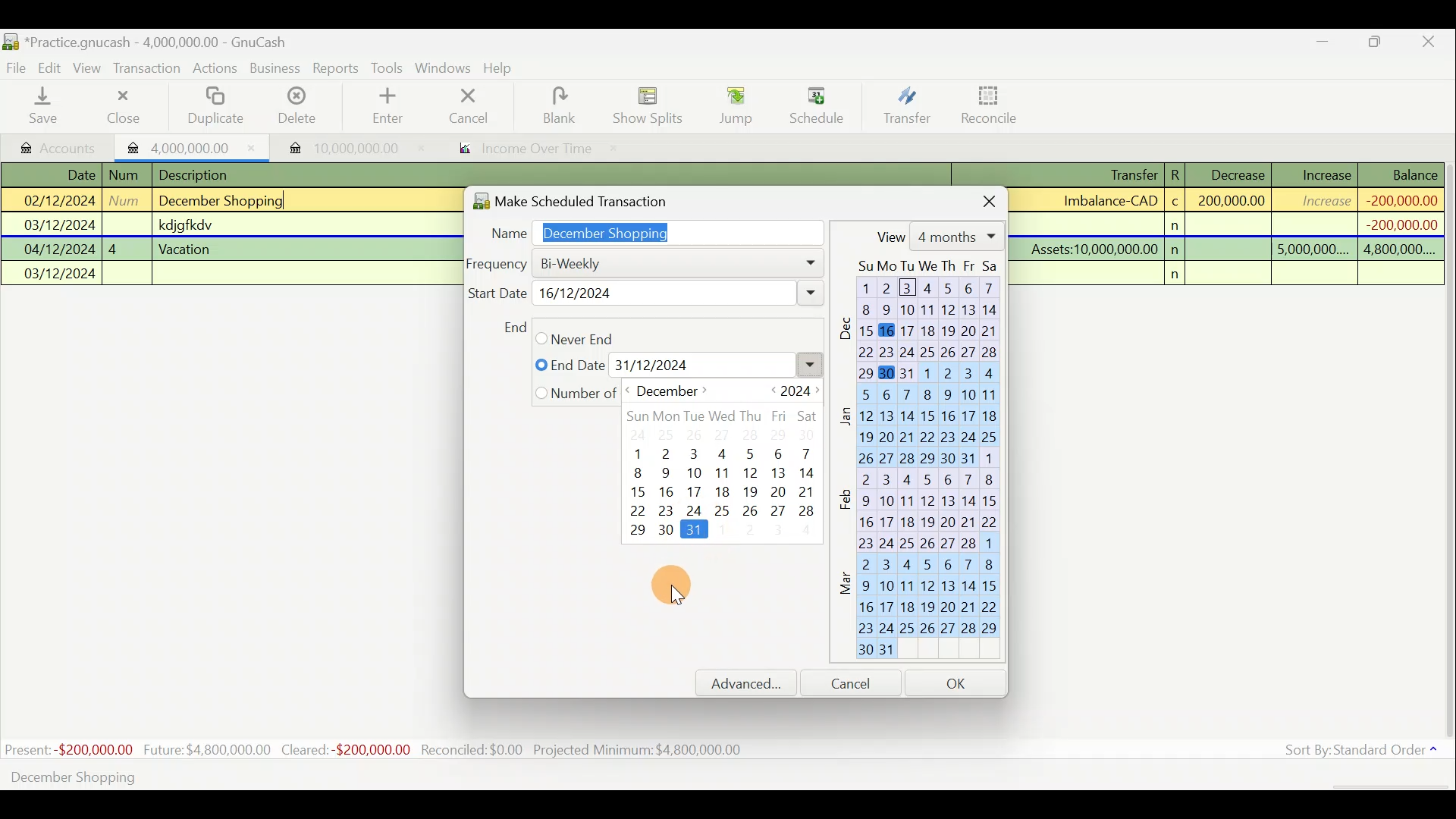  I want to click on Actions, so click(215, 71).